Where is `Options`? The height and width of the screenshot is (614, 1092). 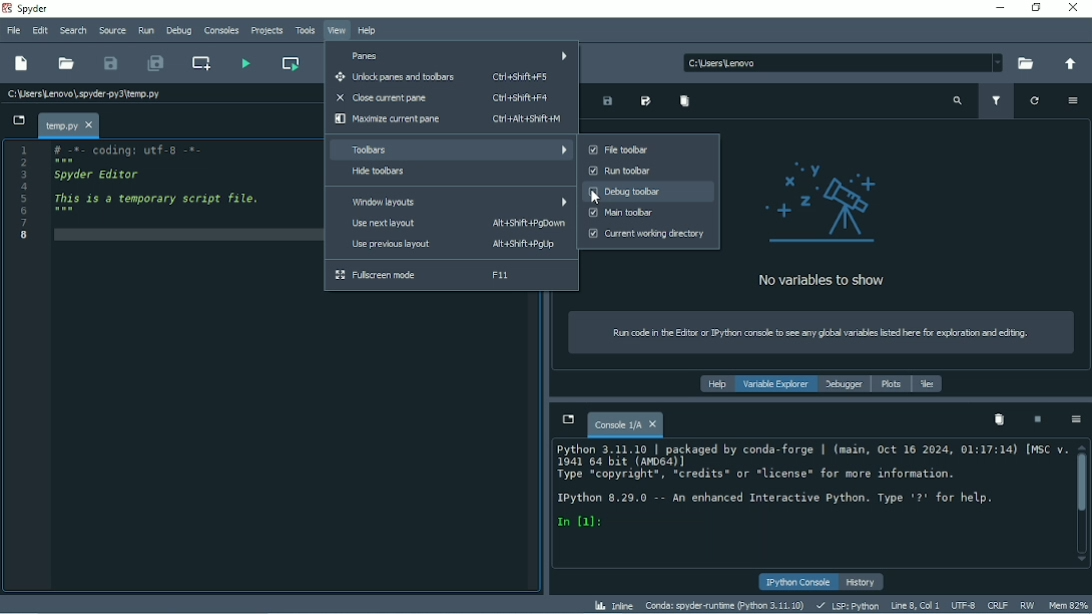 Options is located at coordinates (1073, 100).